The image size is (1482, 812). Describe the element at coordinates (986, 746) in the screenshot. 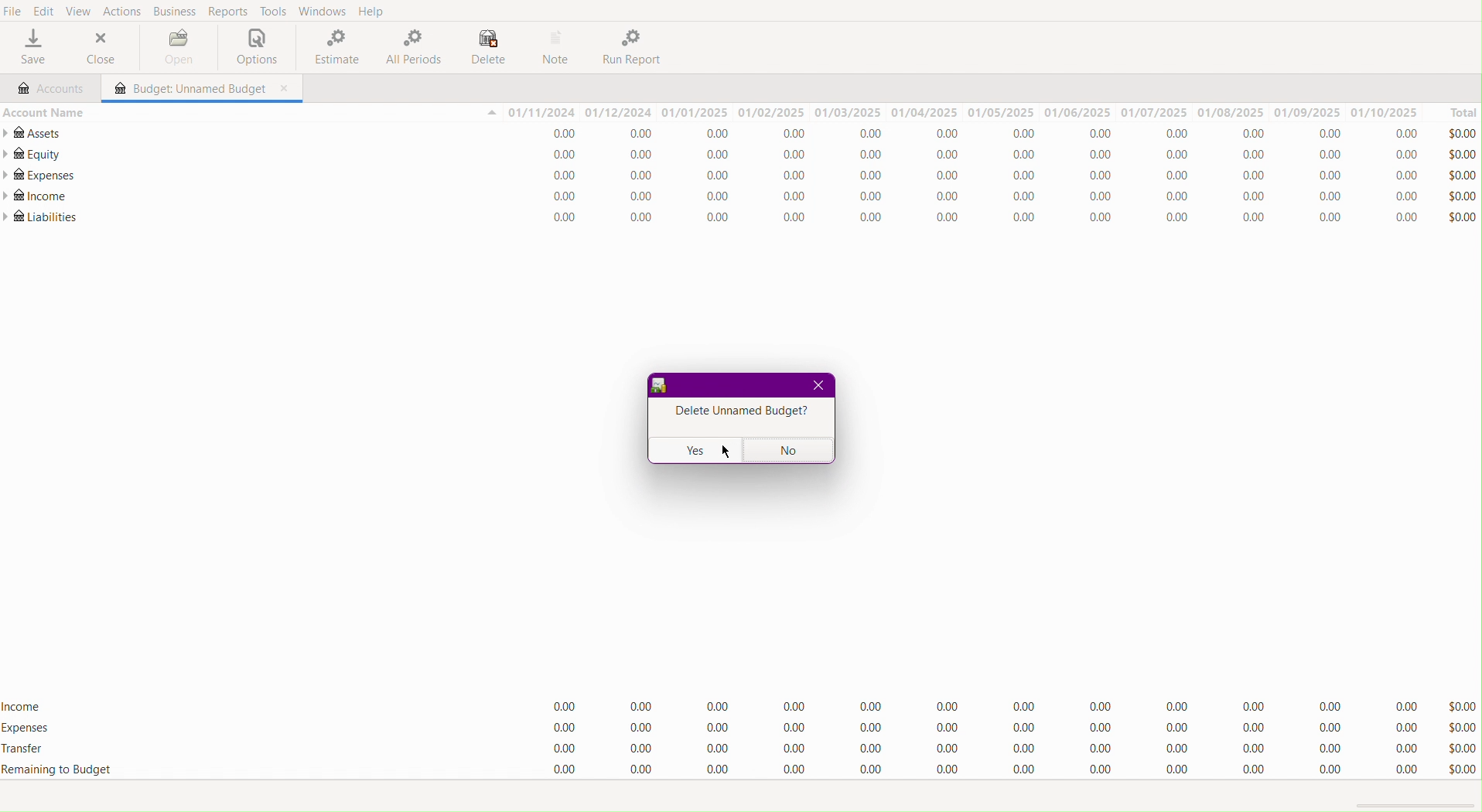

I see `Transfers` at that location.